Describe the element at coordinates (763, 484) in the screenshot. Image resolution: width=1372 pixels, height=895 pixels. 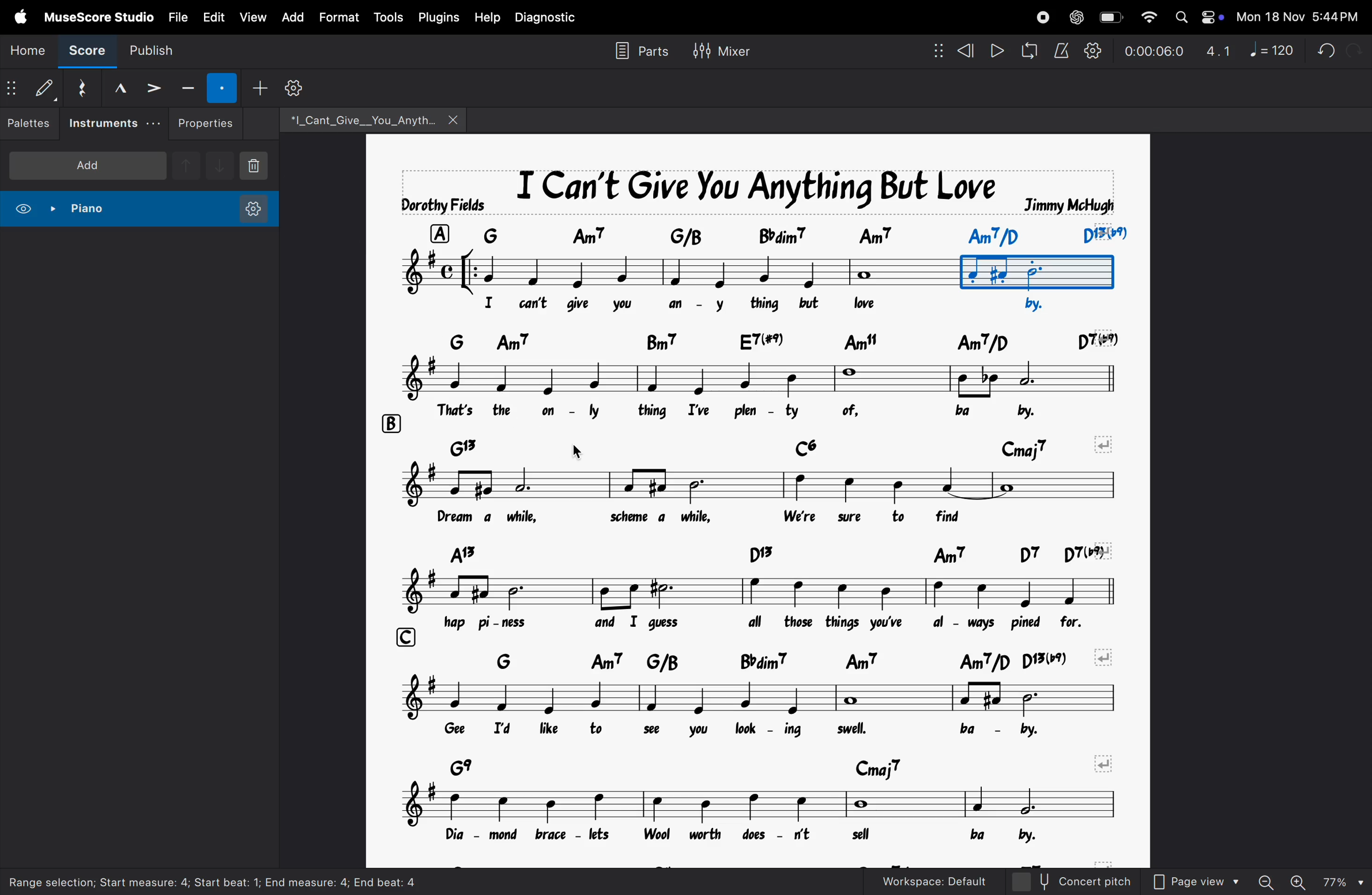
I see `notes` at that location.